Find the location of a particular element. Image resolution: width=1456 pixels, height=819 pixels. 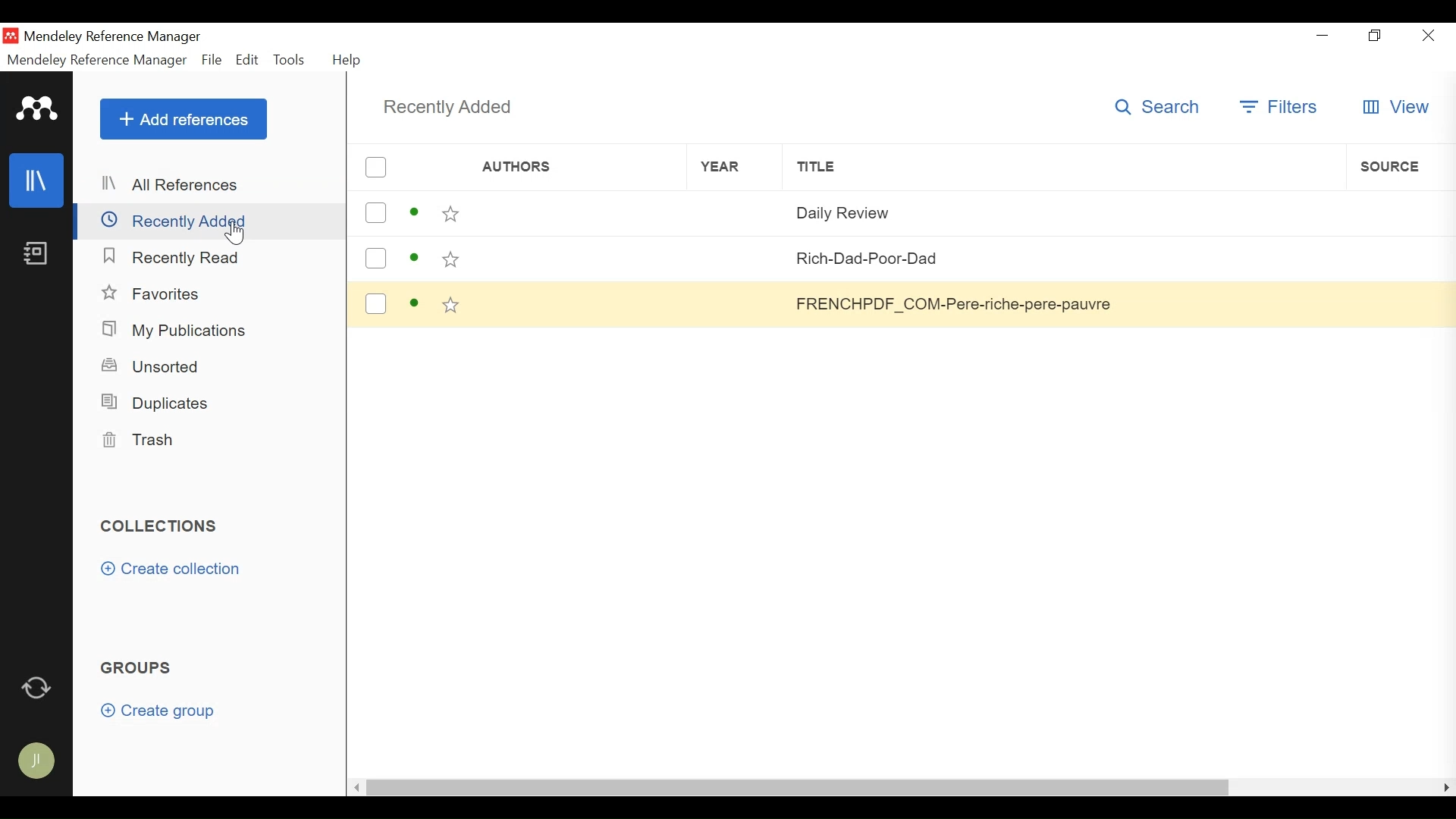

Title is located at coordinates (1067, 166).